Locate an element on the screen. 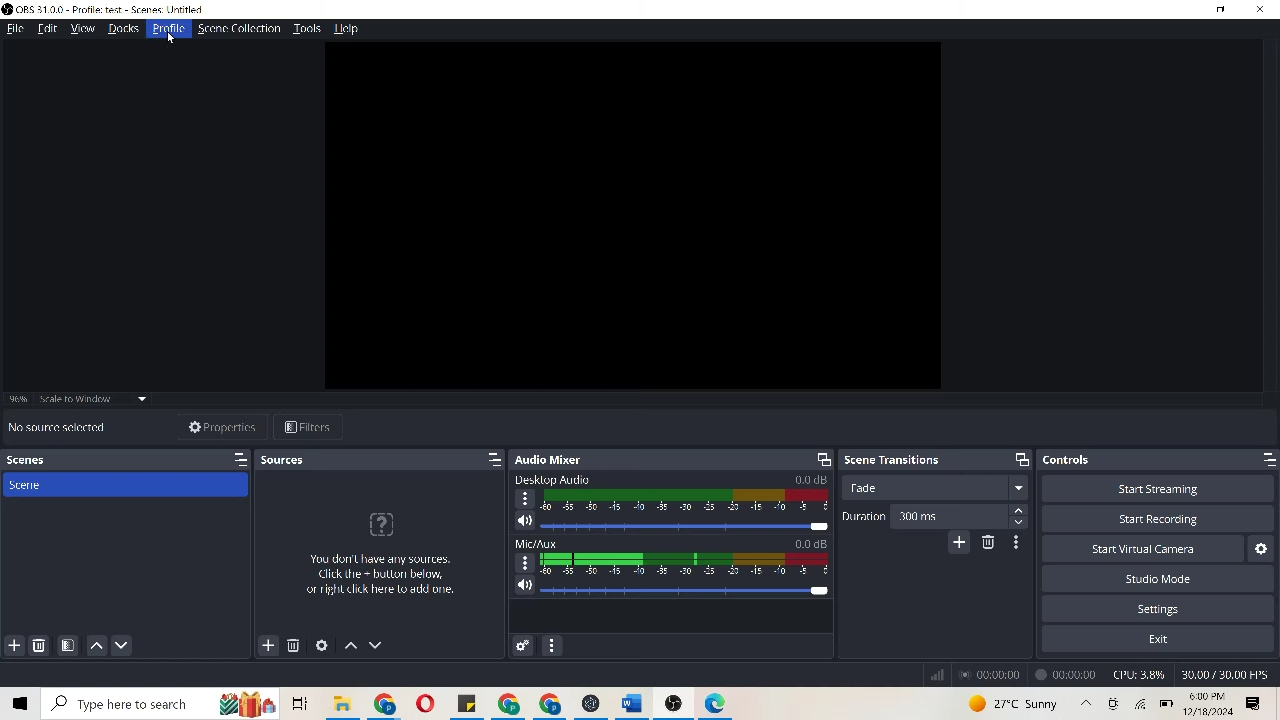 Image resolution: width=1280 pixels, height=720 pixels. scene collection is located at coordinates (244, 31).